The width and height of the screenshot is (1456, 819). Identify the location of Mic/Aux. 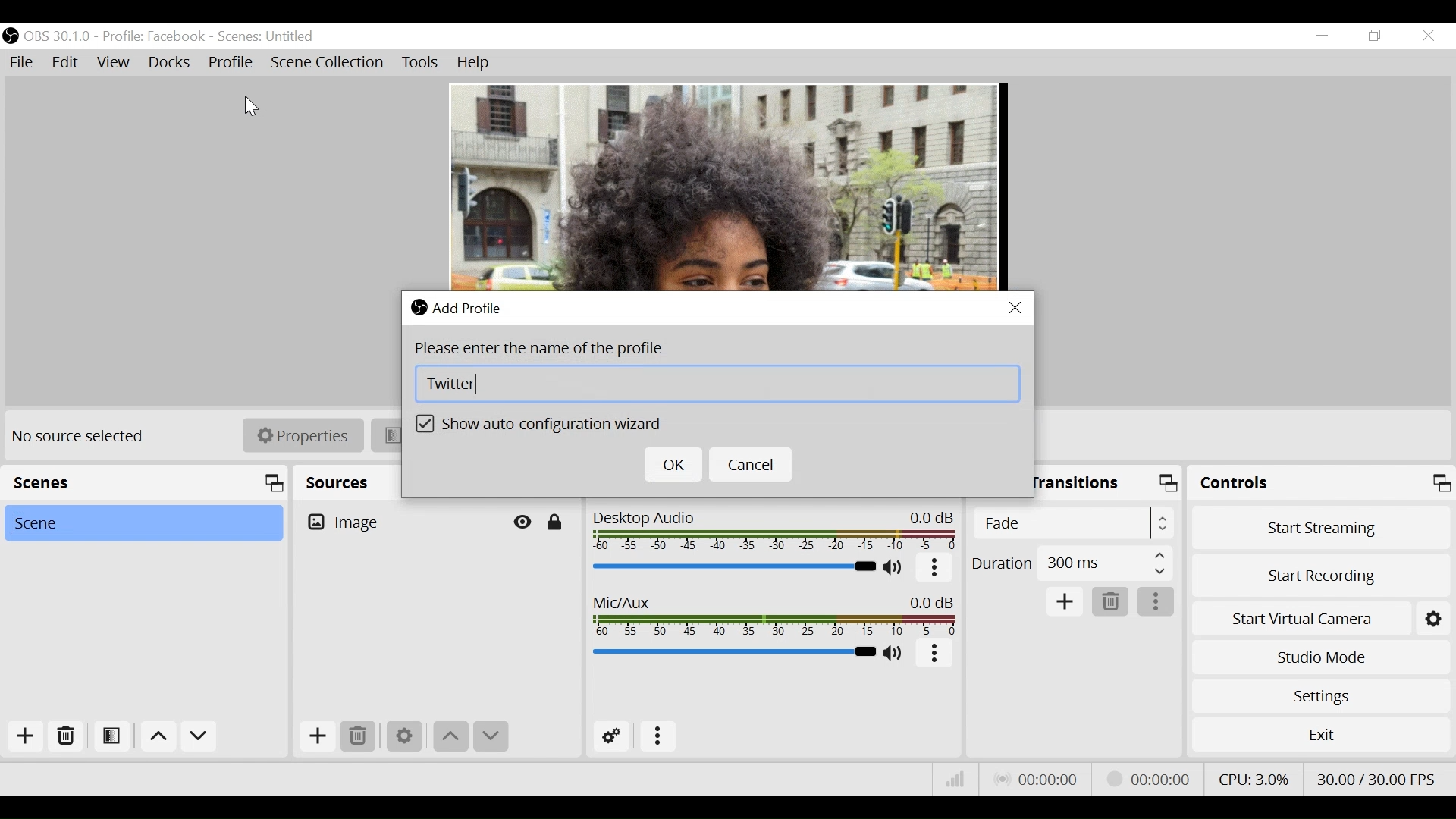
(733, 651).